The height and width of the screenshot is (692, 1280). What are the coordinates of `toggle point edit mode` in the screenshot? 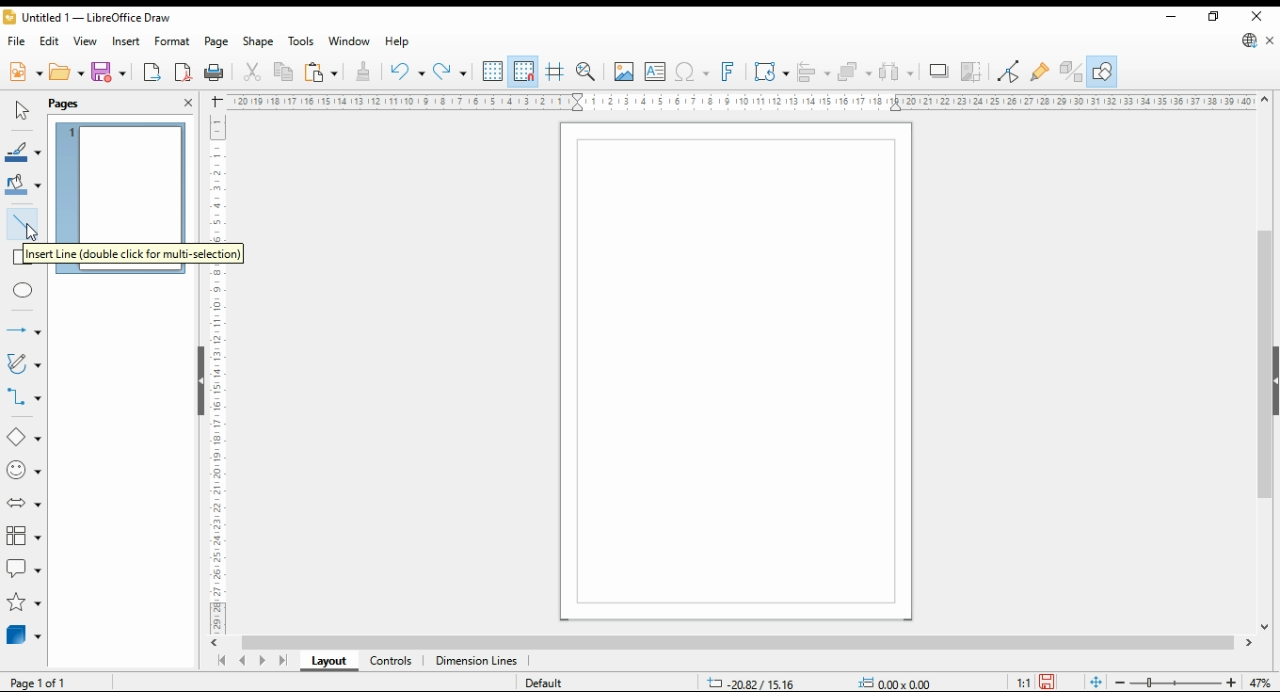 It's located at (1010, 71).